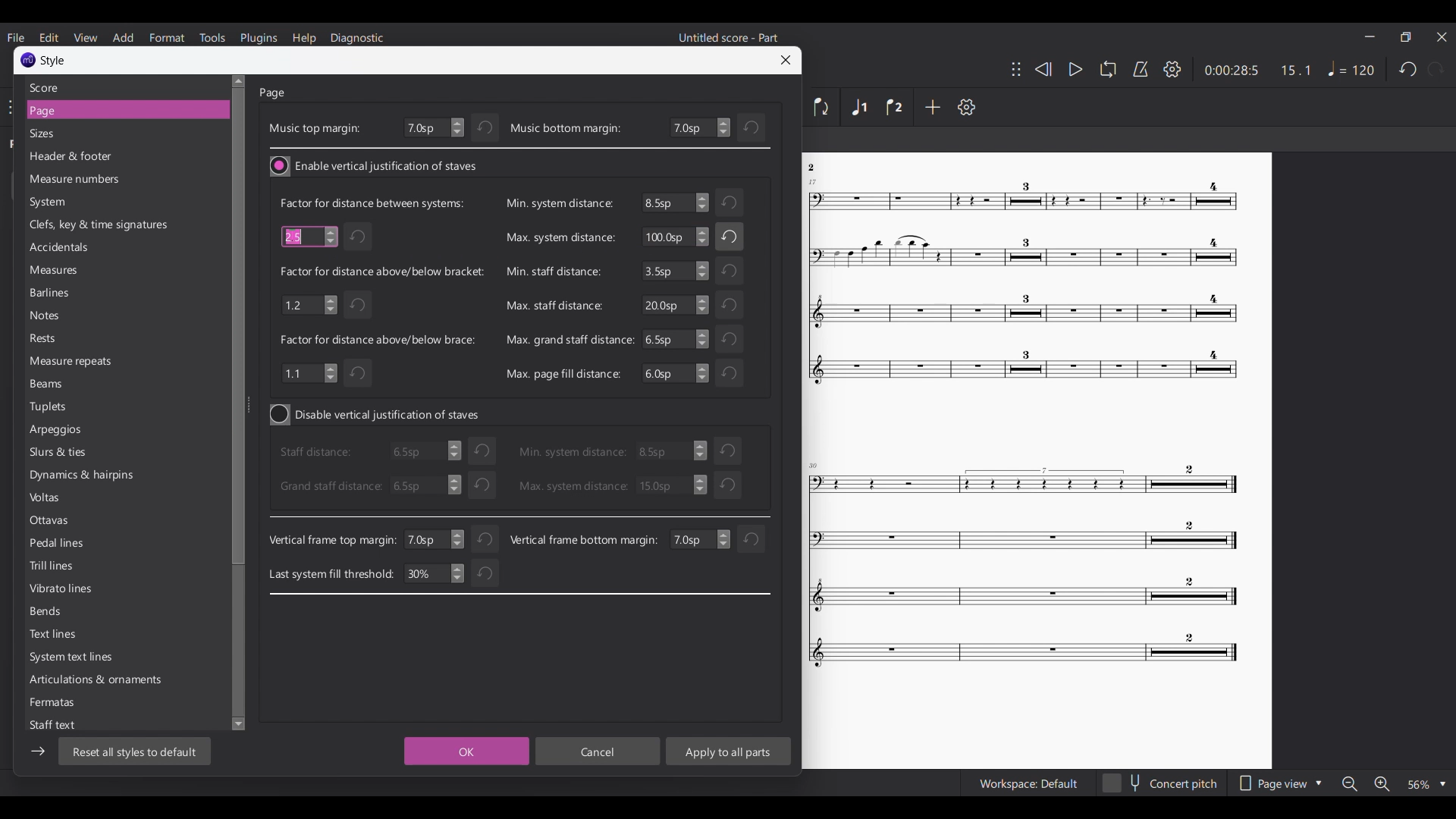 The width and height of the screenshot is (1456, 819). I want to click on 30%, so click(437, 573).